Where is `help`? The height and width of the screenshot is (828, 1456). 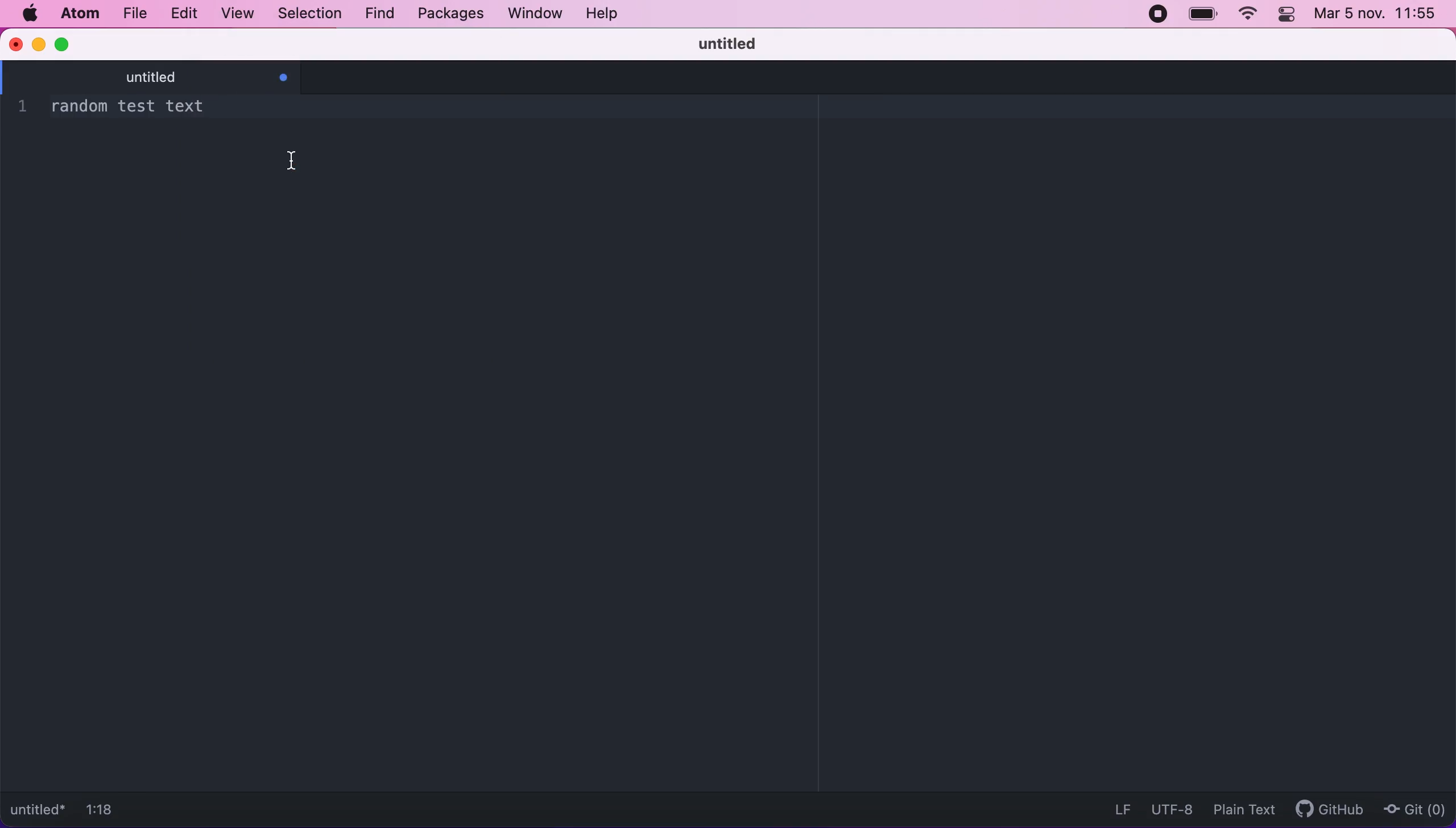
help is located at coordinates (604, 13).